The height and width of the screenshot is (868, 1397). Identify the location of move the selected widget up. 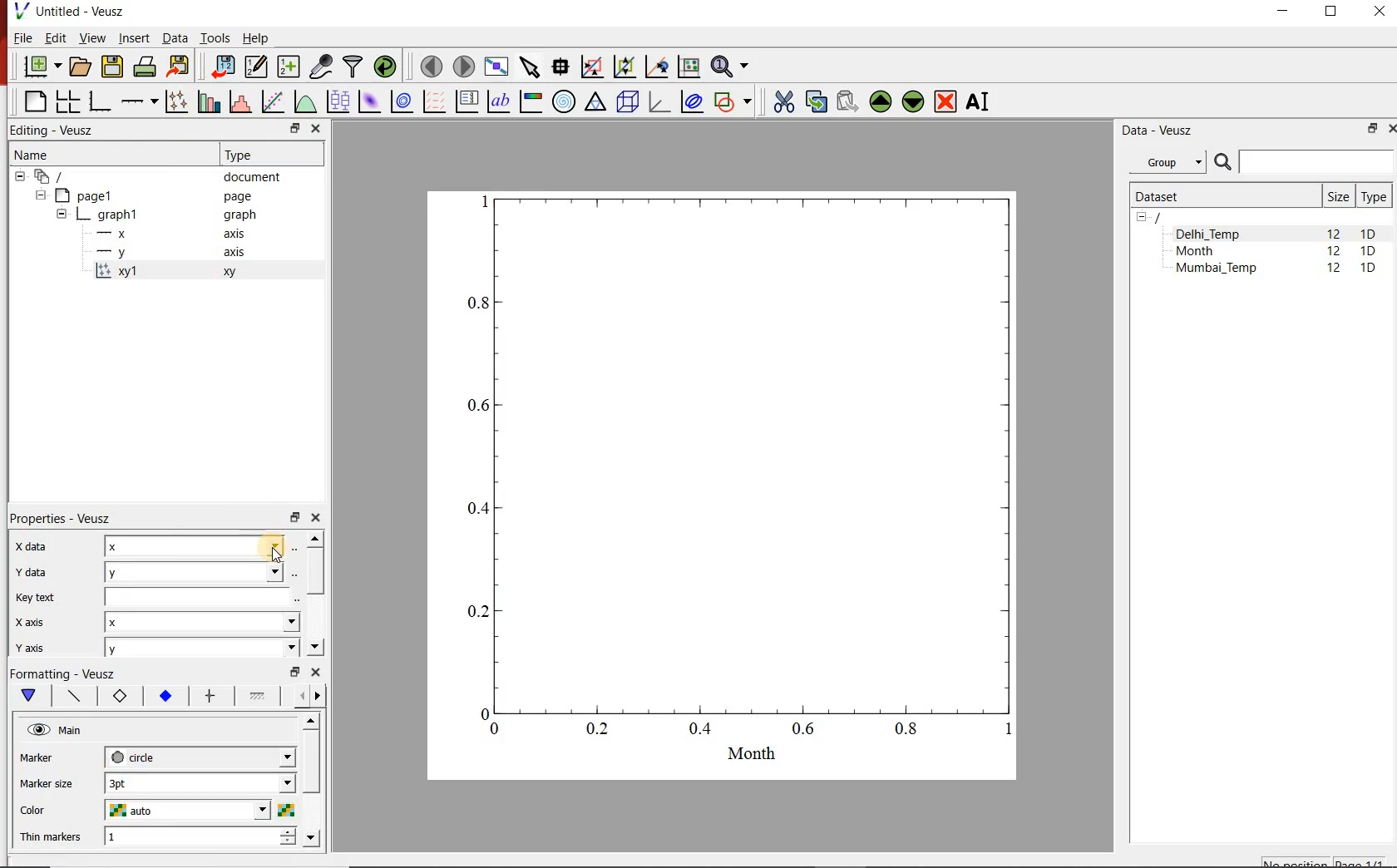
(880, 101).